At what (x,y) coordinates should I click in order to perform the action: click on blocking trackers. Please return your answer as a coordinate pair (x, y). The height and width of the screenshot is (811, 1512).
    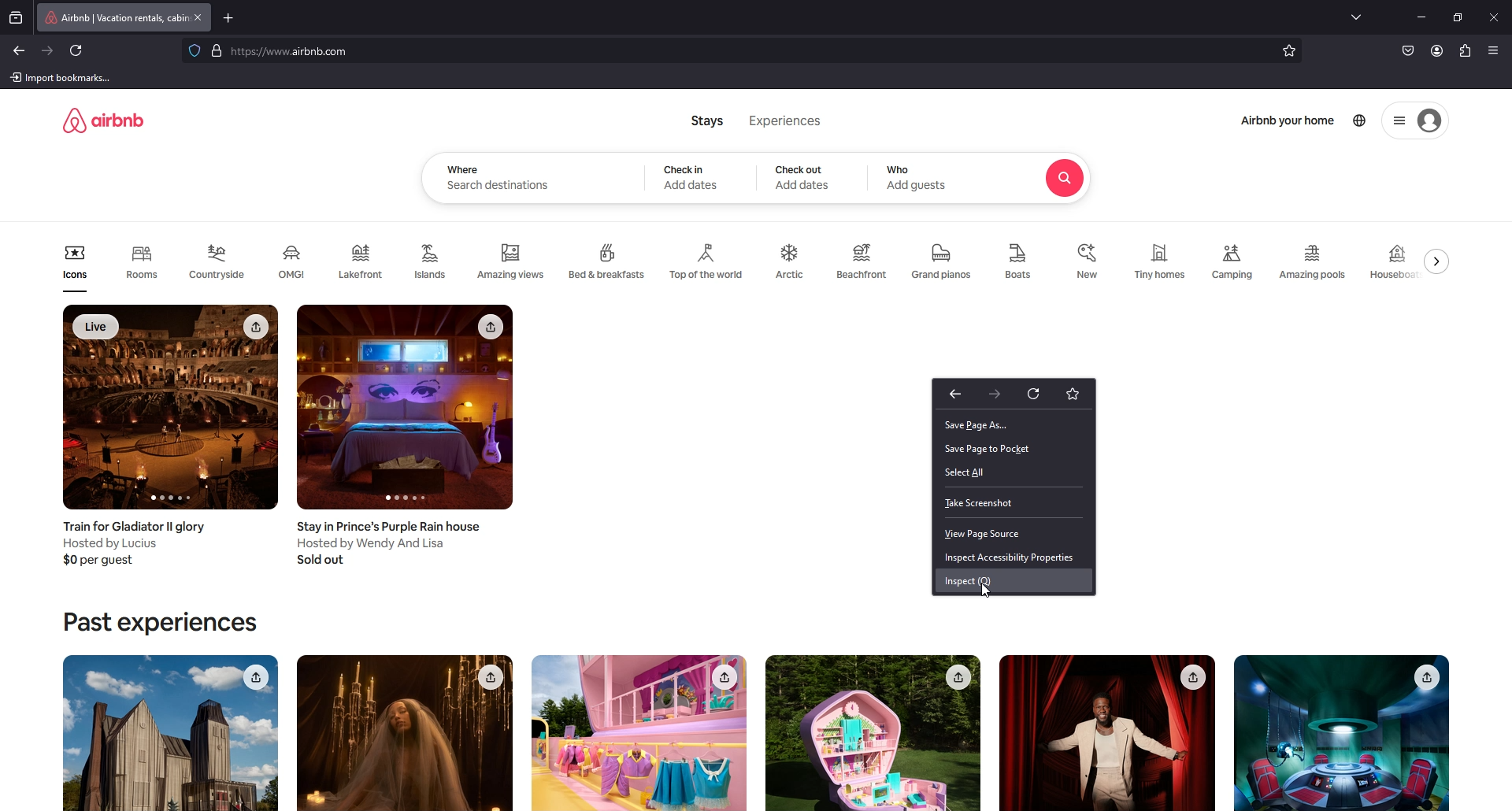
    Looking at the image, I should click on (194, 50).